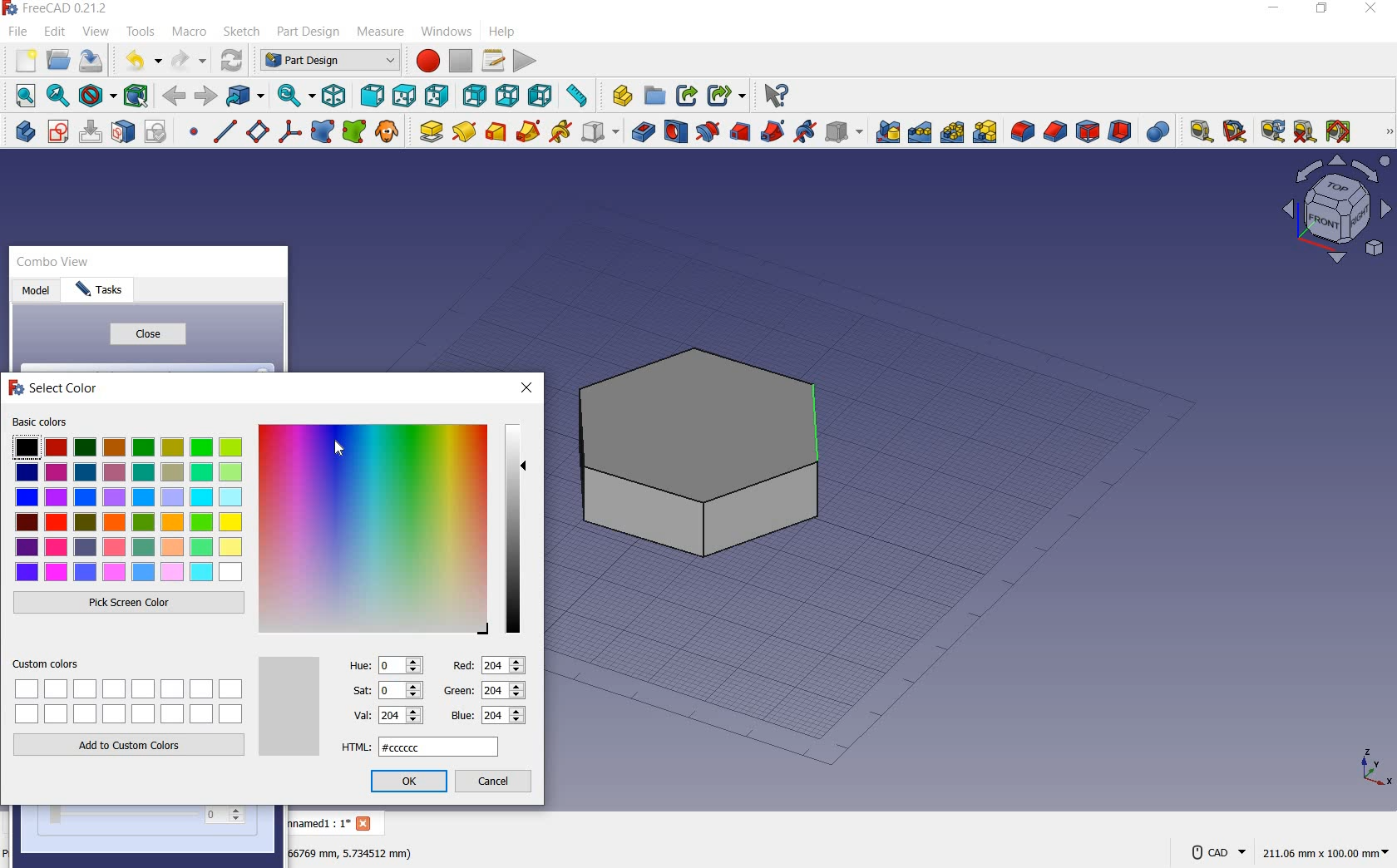 The height and width of the screenshot is (868, 1397). What do you see at coordinates (510, 95) in the screenshot?
I see `bottom` at bounding box center [510, 95].